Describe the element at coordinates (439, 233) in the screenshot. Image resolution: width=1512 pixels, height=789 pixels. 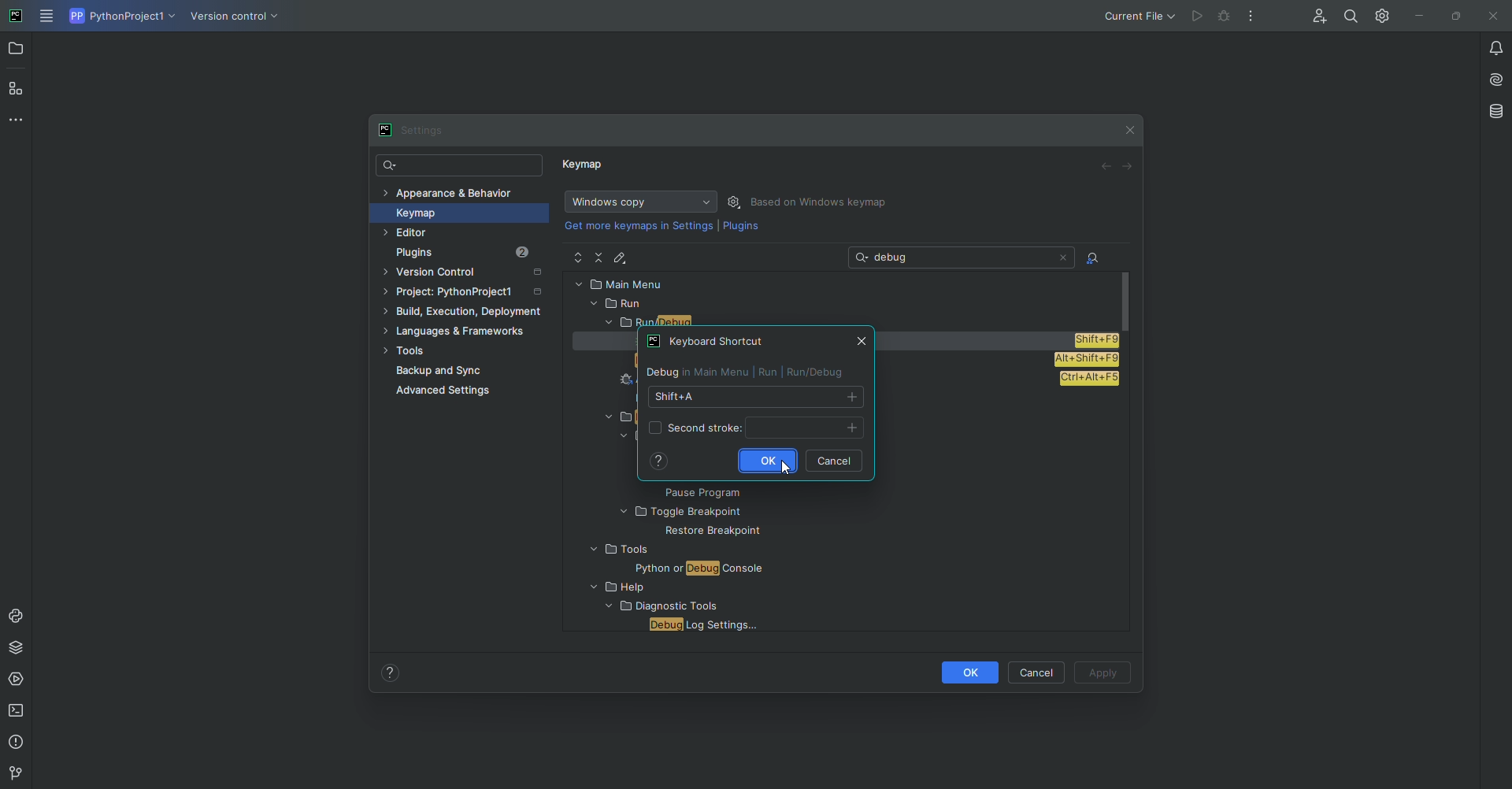
I see `Editor` at that location.